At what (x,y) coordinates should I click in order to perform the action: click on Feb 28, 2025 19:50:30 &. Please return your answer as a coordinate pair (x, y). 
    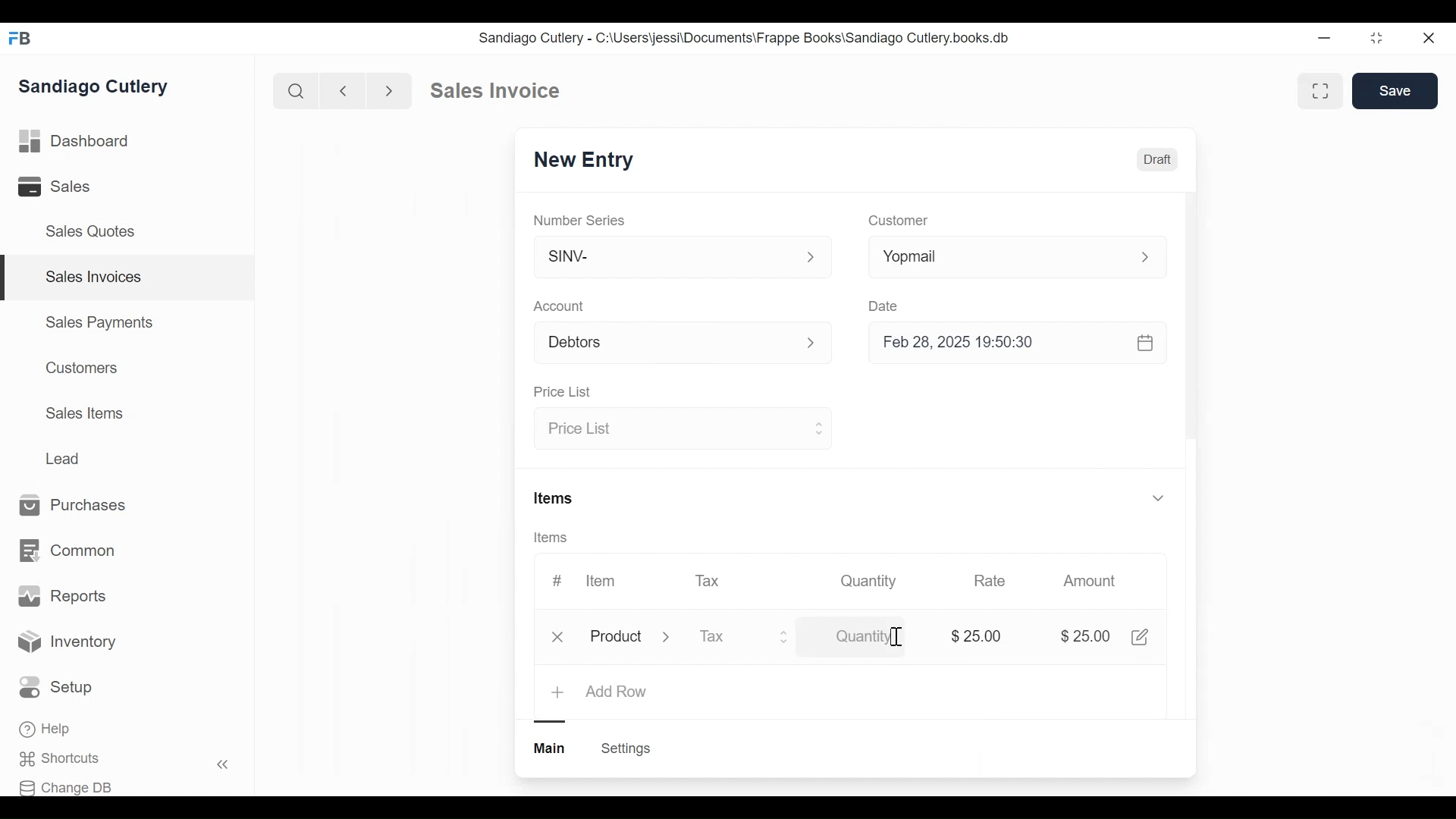
    Looking at the image, I should click on (1021, 344).